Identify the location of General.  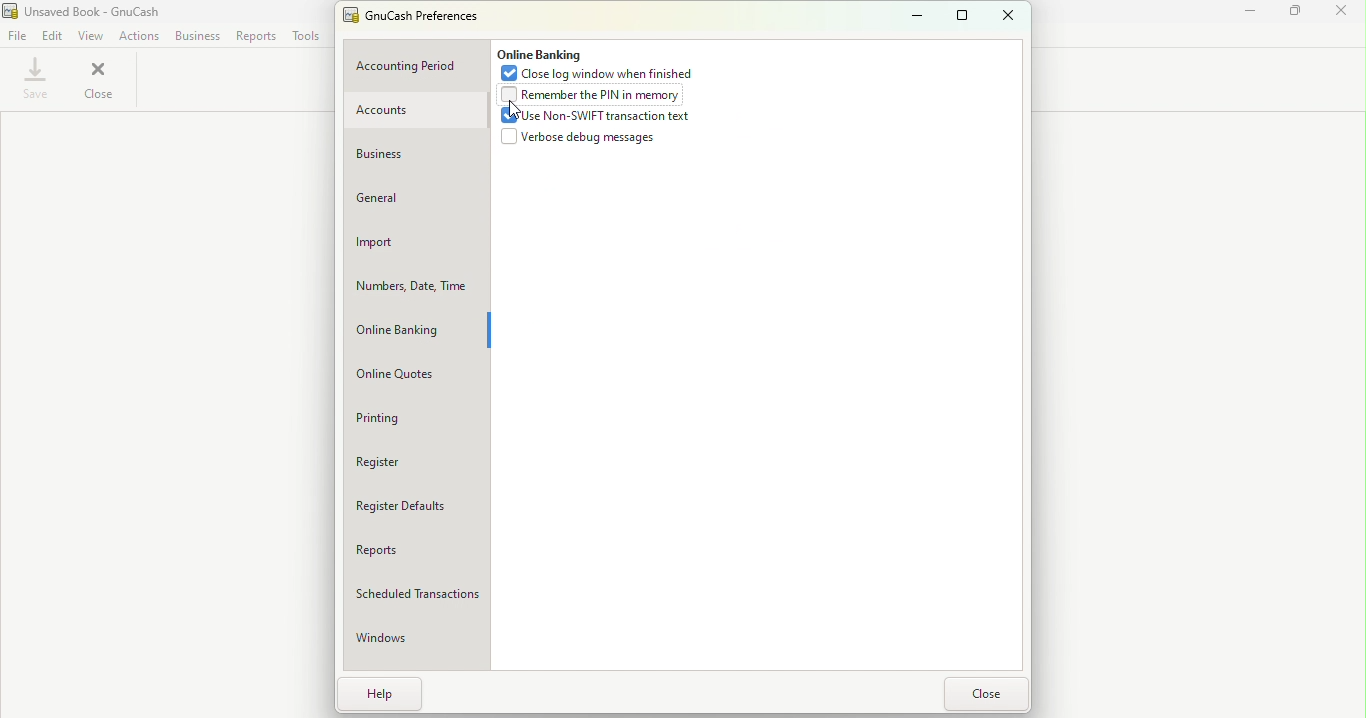
(411, 204).